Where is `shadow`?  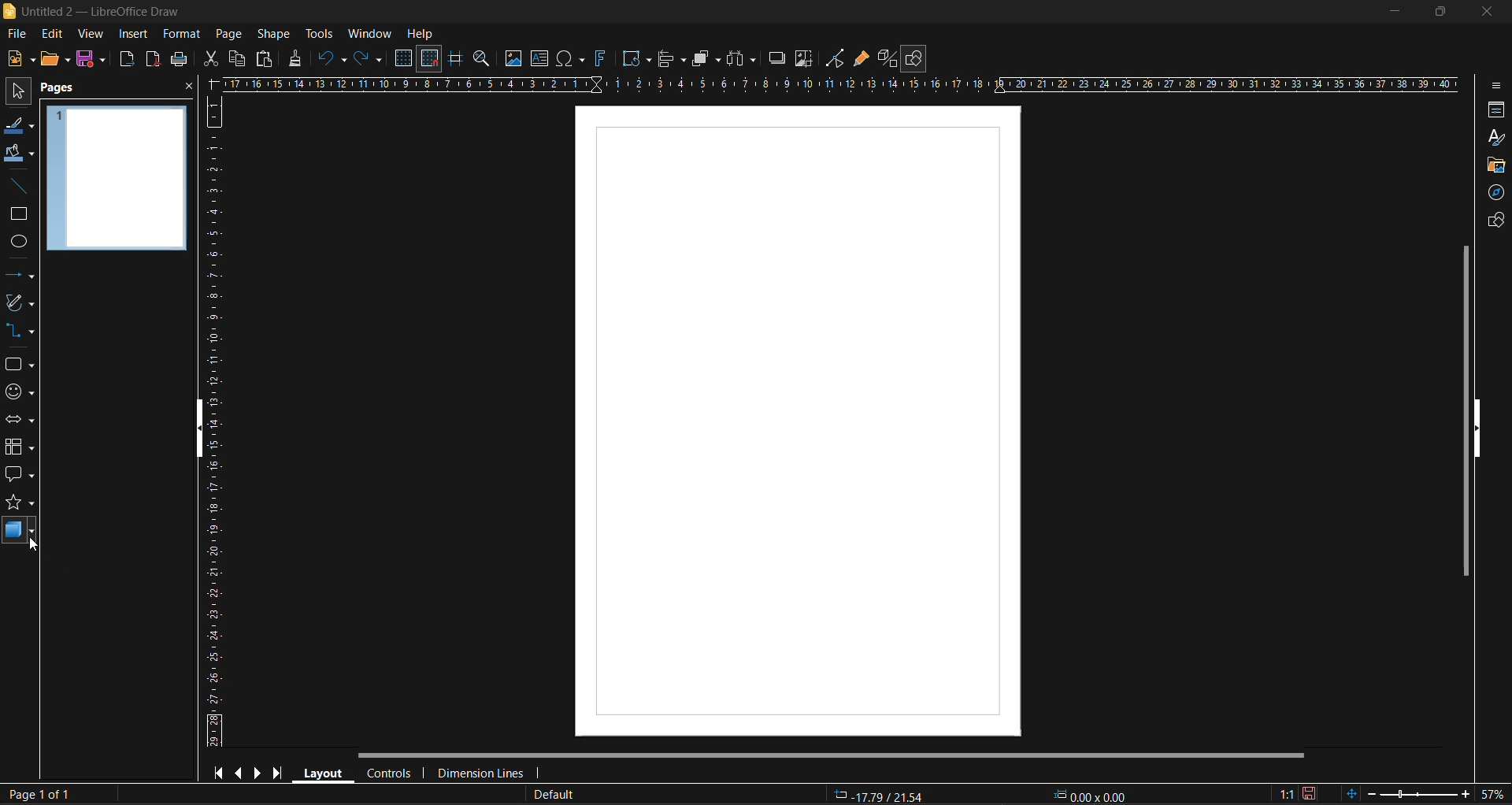 shadow is located at coordinates (775, 57).